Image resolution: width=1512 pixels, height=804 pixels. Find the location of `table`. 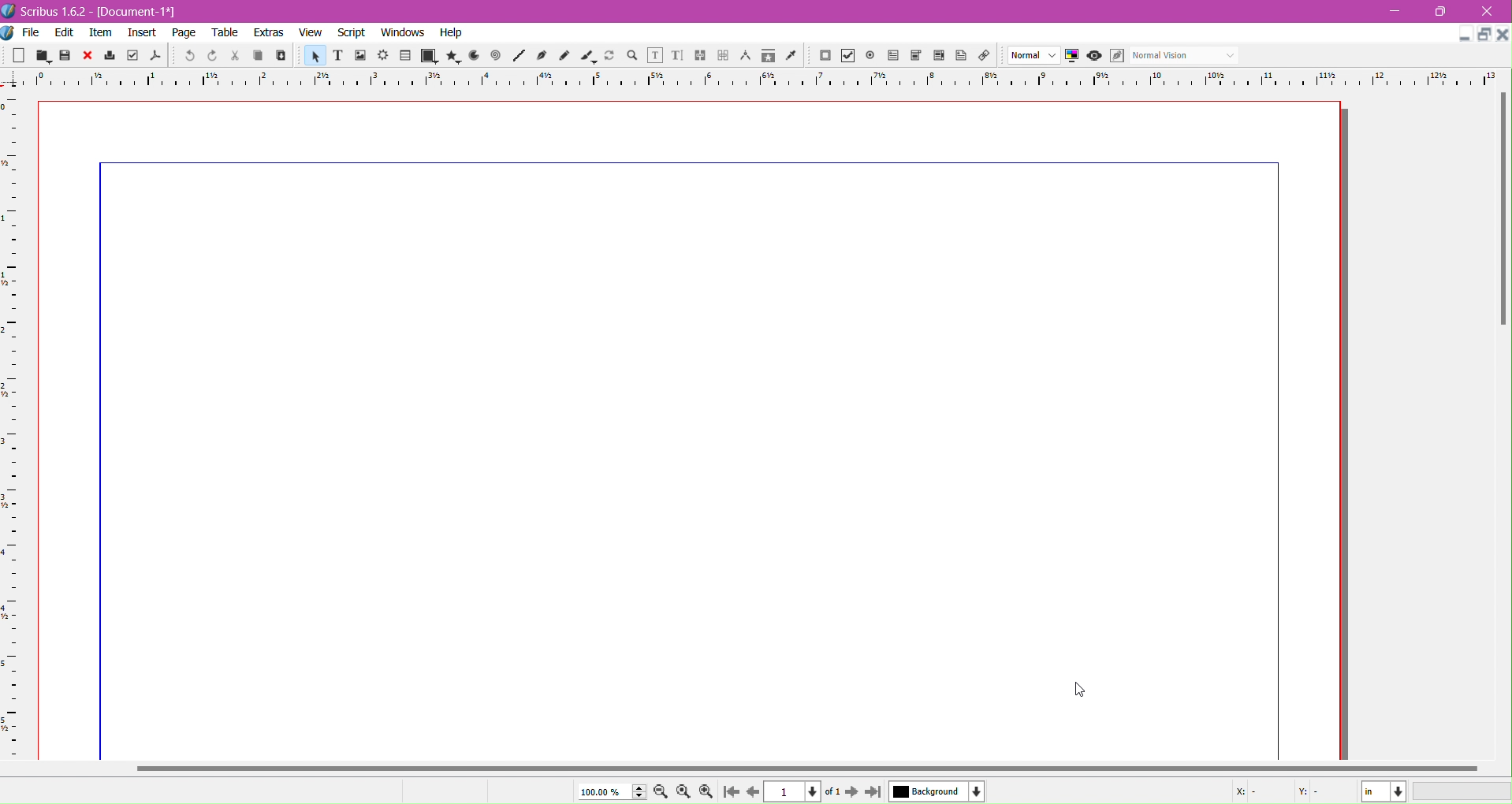

table is located at coordinates (405, 56).